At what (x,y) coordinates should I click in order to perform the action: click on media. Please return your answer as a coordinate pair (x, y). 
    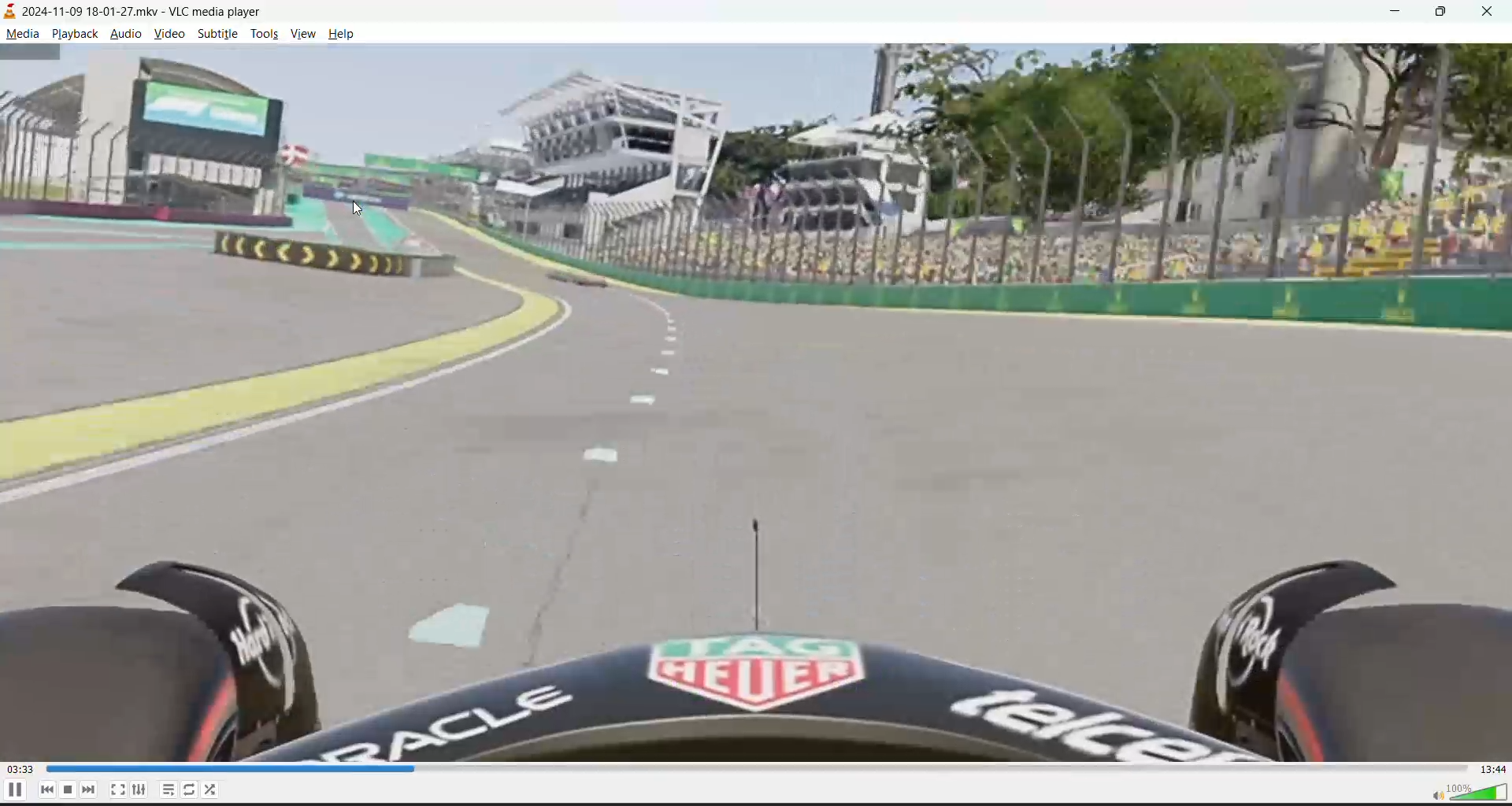
    Looking at the image, I should click on (28, 35).